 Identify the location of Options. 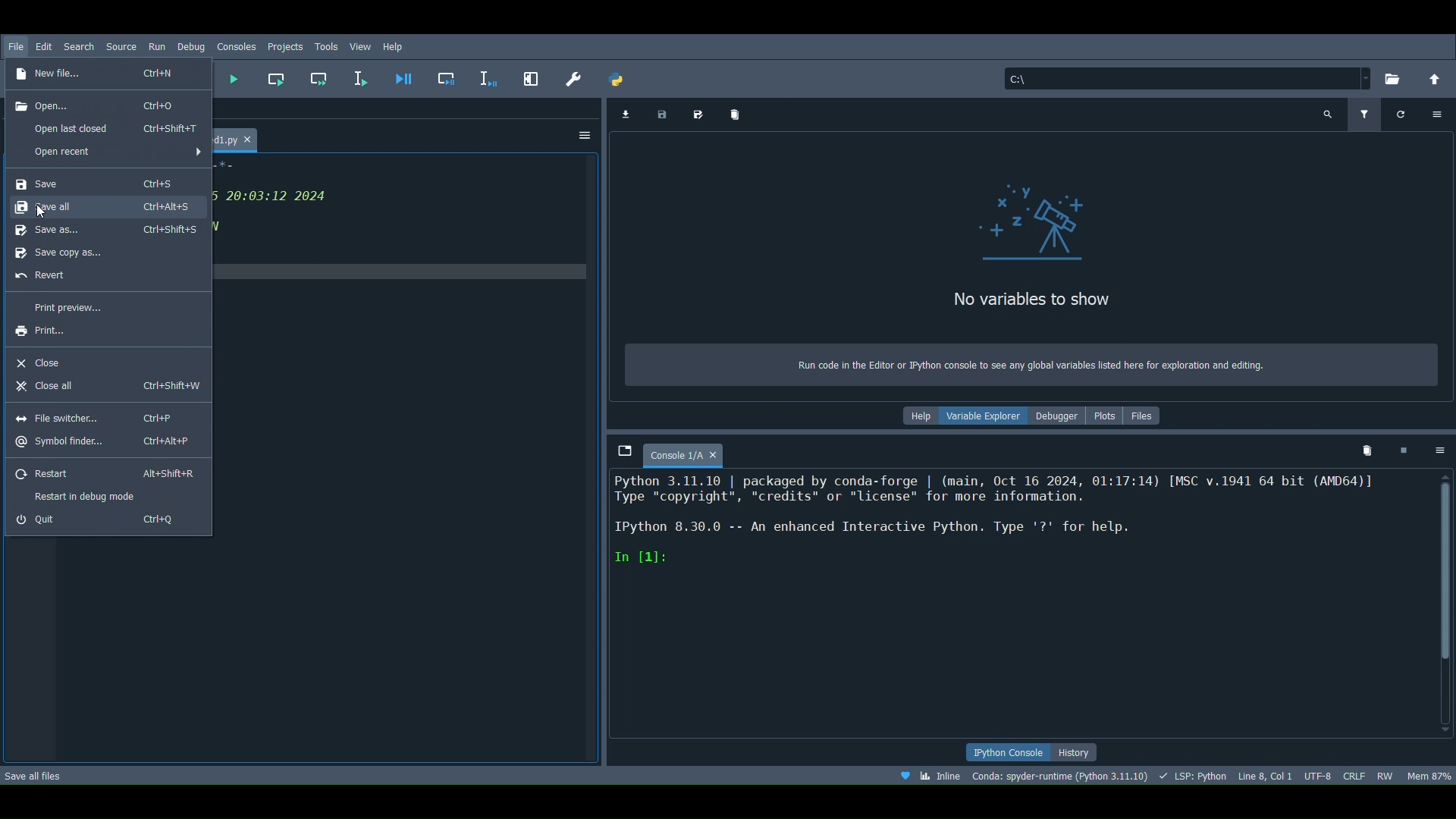
(1436, 111).